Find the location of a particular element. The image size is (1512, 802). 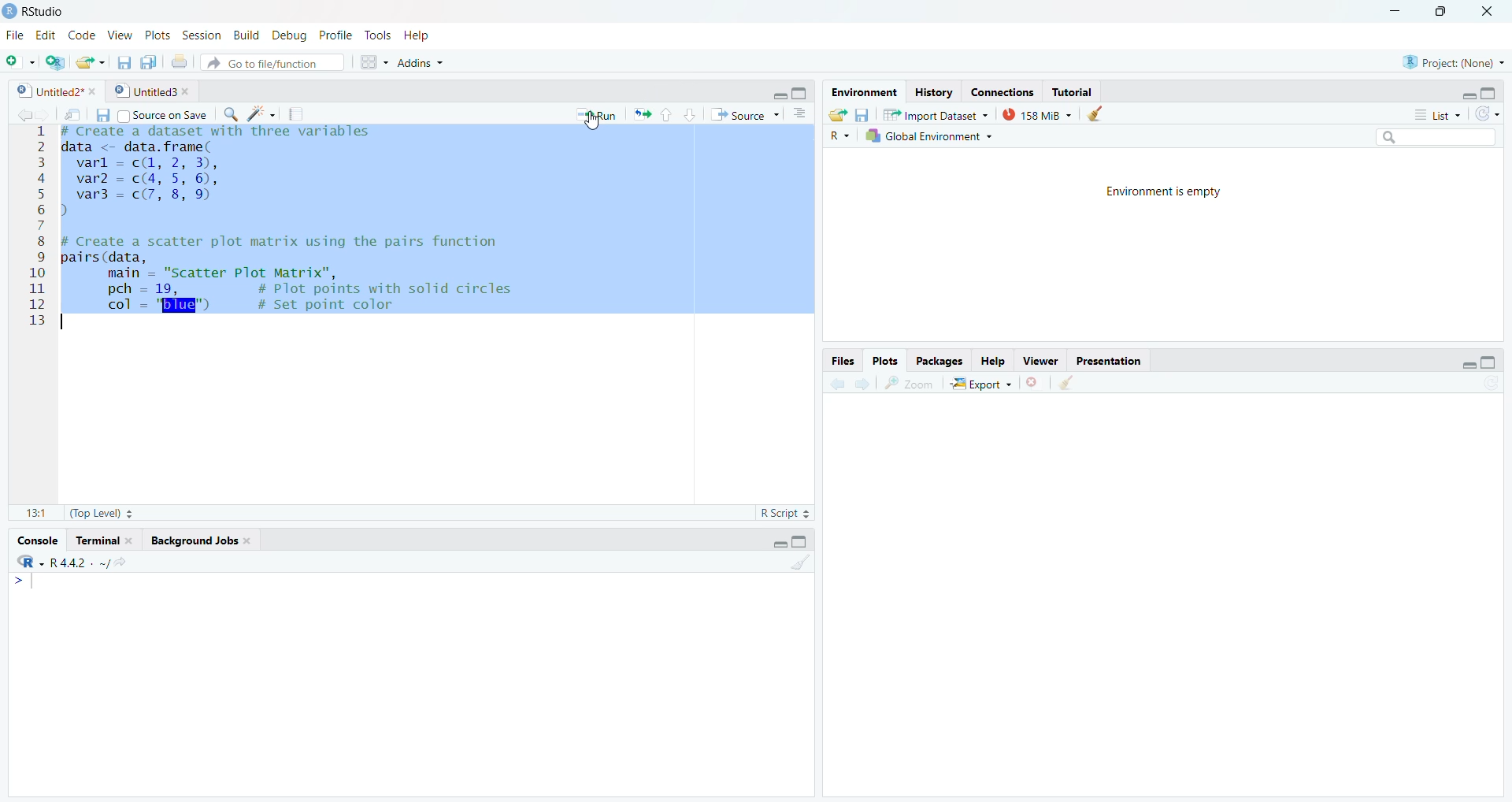

clear viewer items is located at coordinates (1100, 114).